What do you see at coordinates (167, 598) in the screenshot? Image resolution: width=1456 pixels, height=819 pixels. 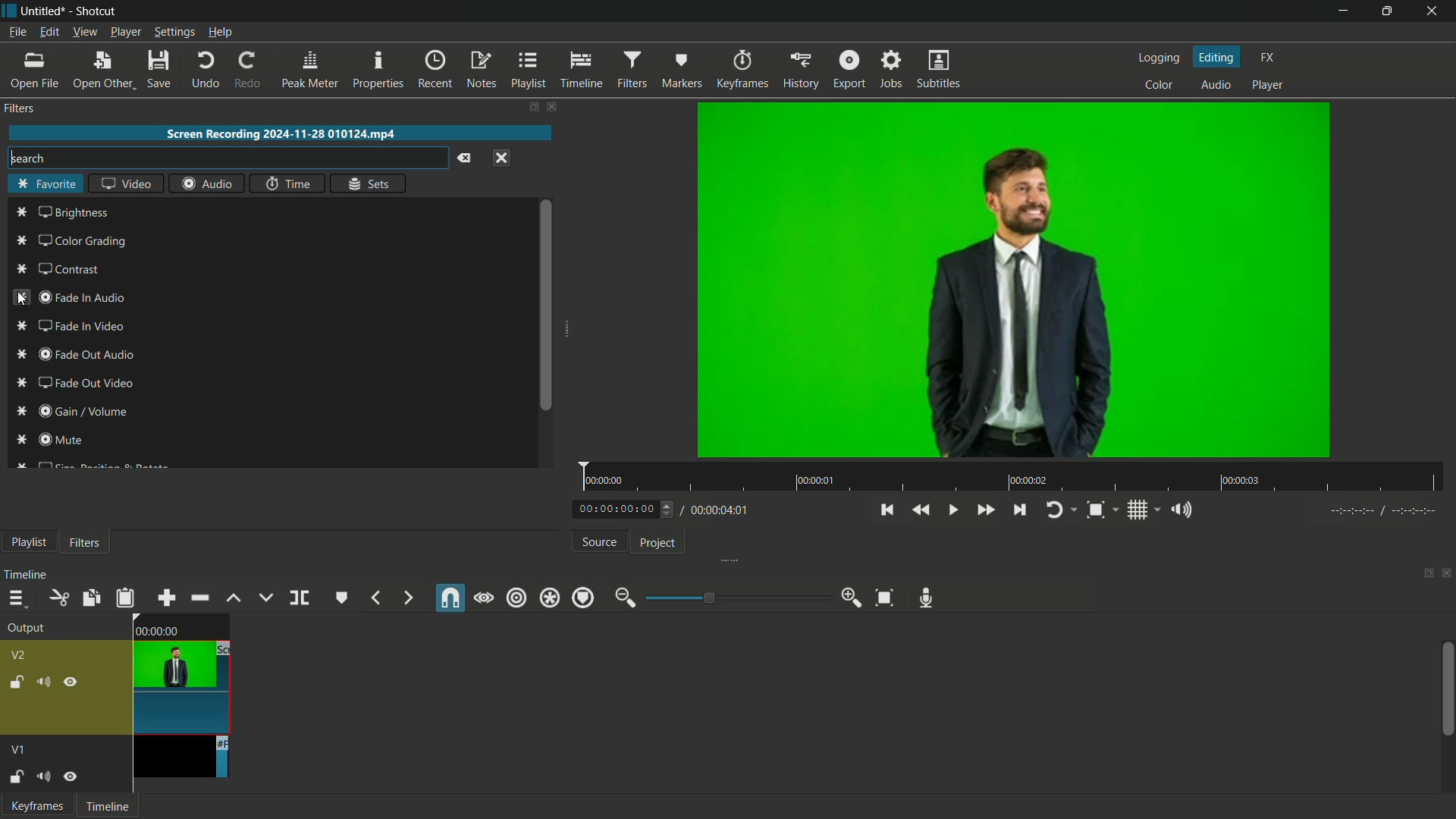 I see `append` at bounding box center [167, 598].